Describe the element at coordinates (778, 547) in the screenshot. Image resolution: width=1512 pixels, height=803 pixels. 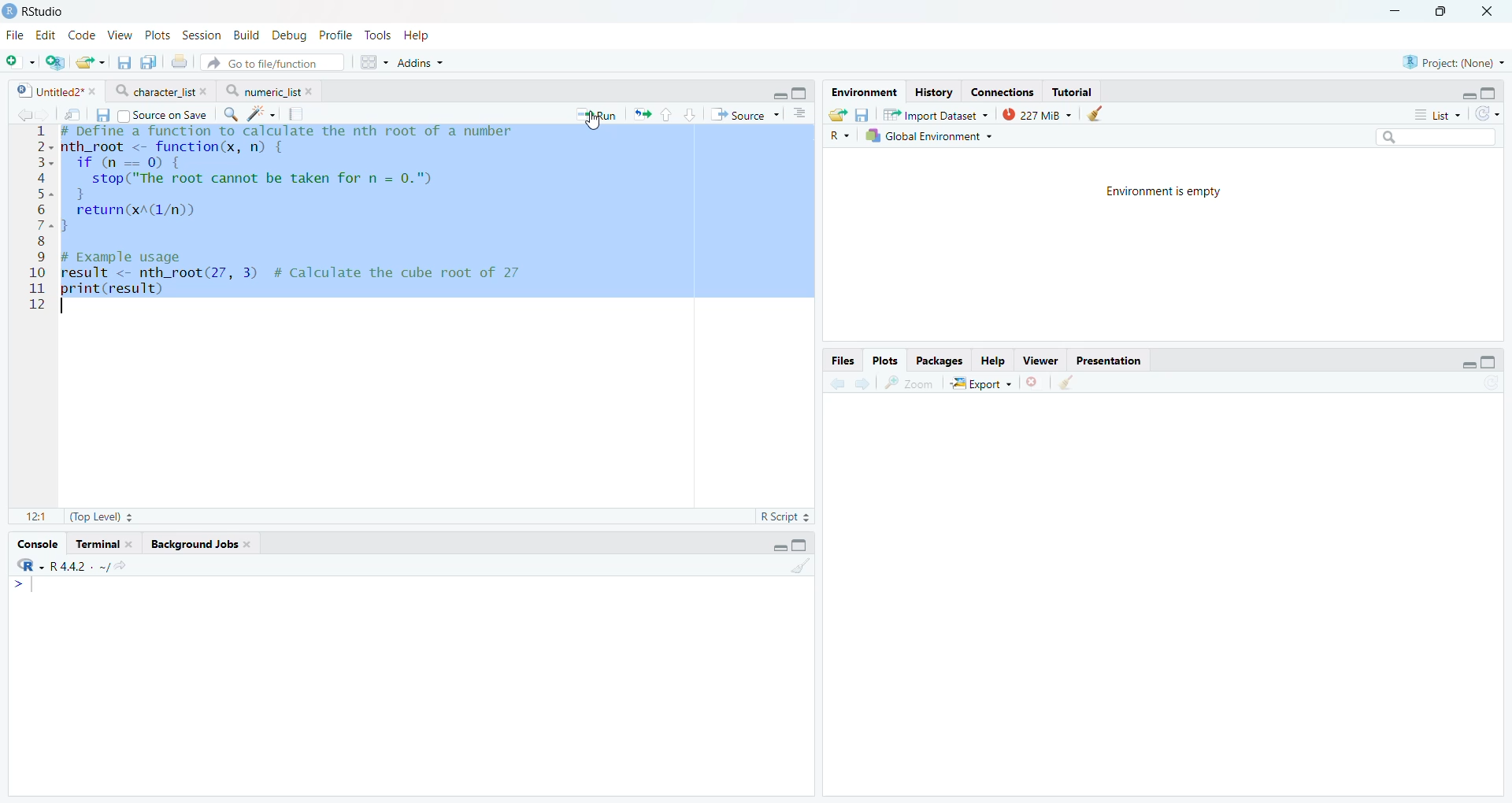
I see `Hide` at that location.